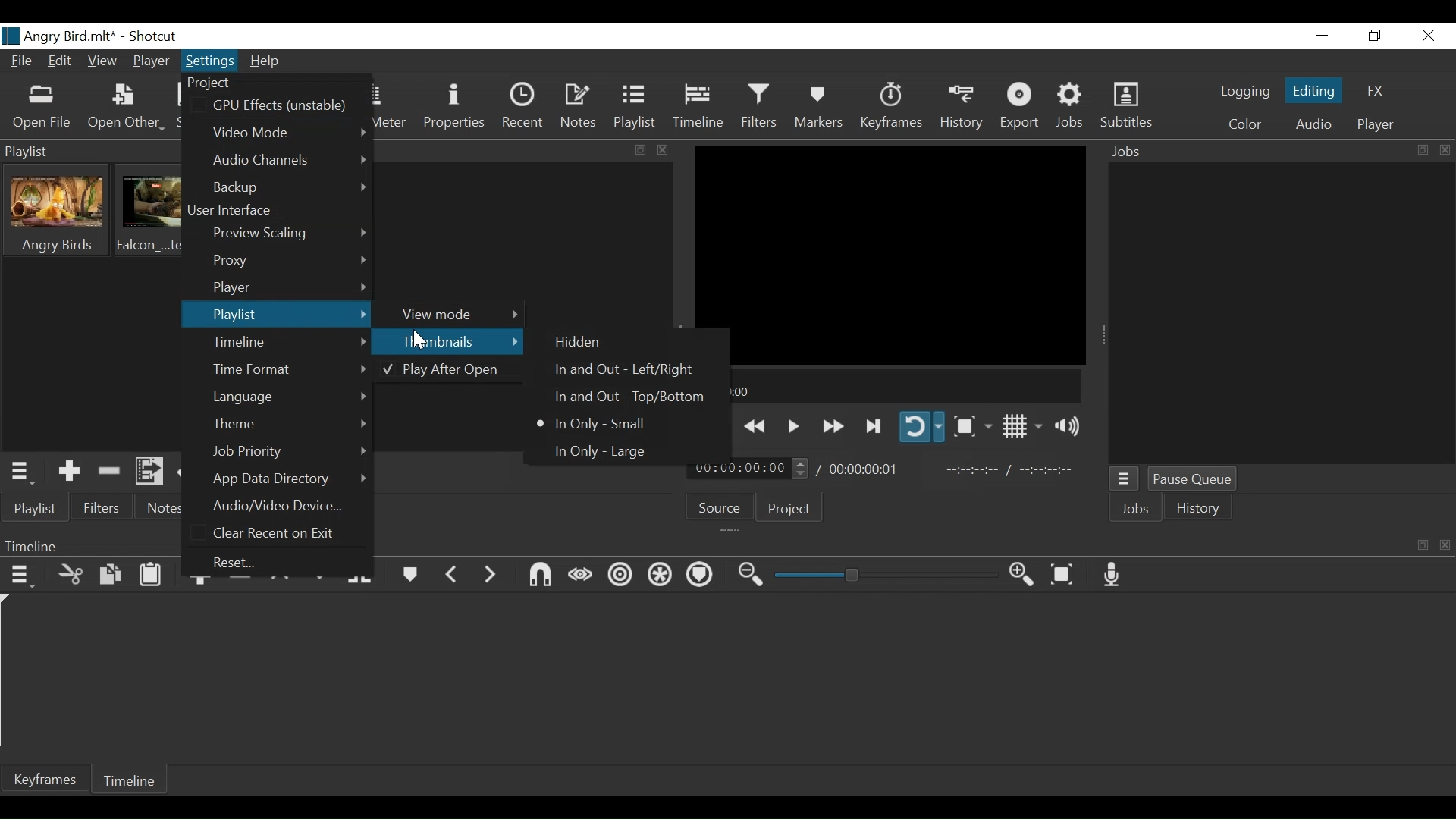 The height and width of the screenshot is (819, 1456). I want to click on Thumbnail, so click(447, 340).